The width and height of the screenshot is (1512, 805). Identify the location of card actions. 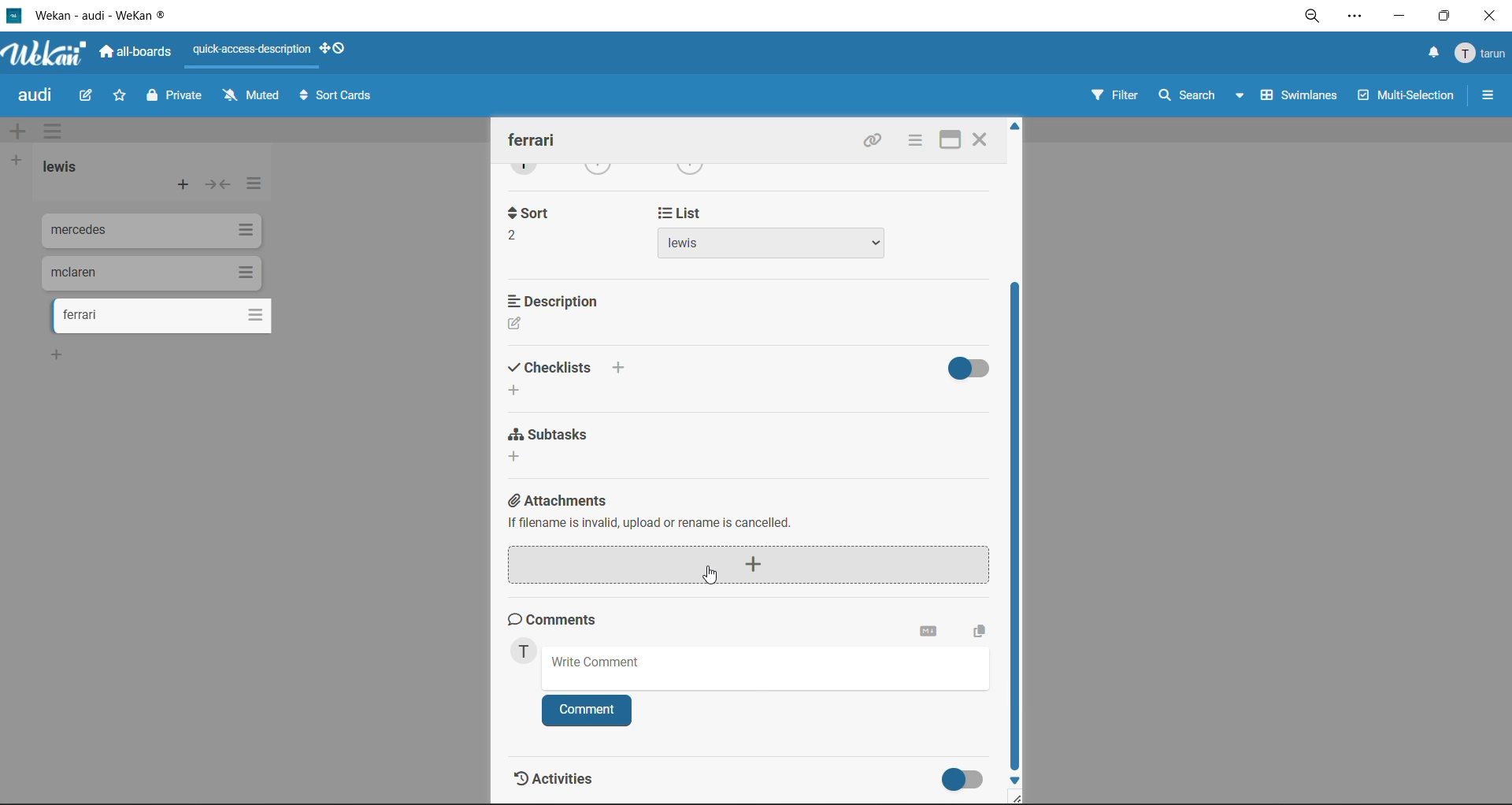
(913, 142).